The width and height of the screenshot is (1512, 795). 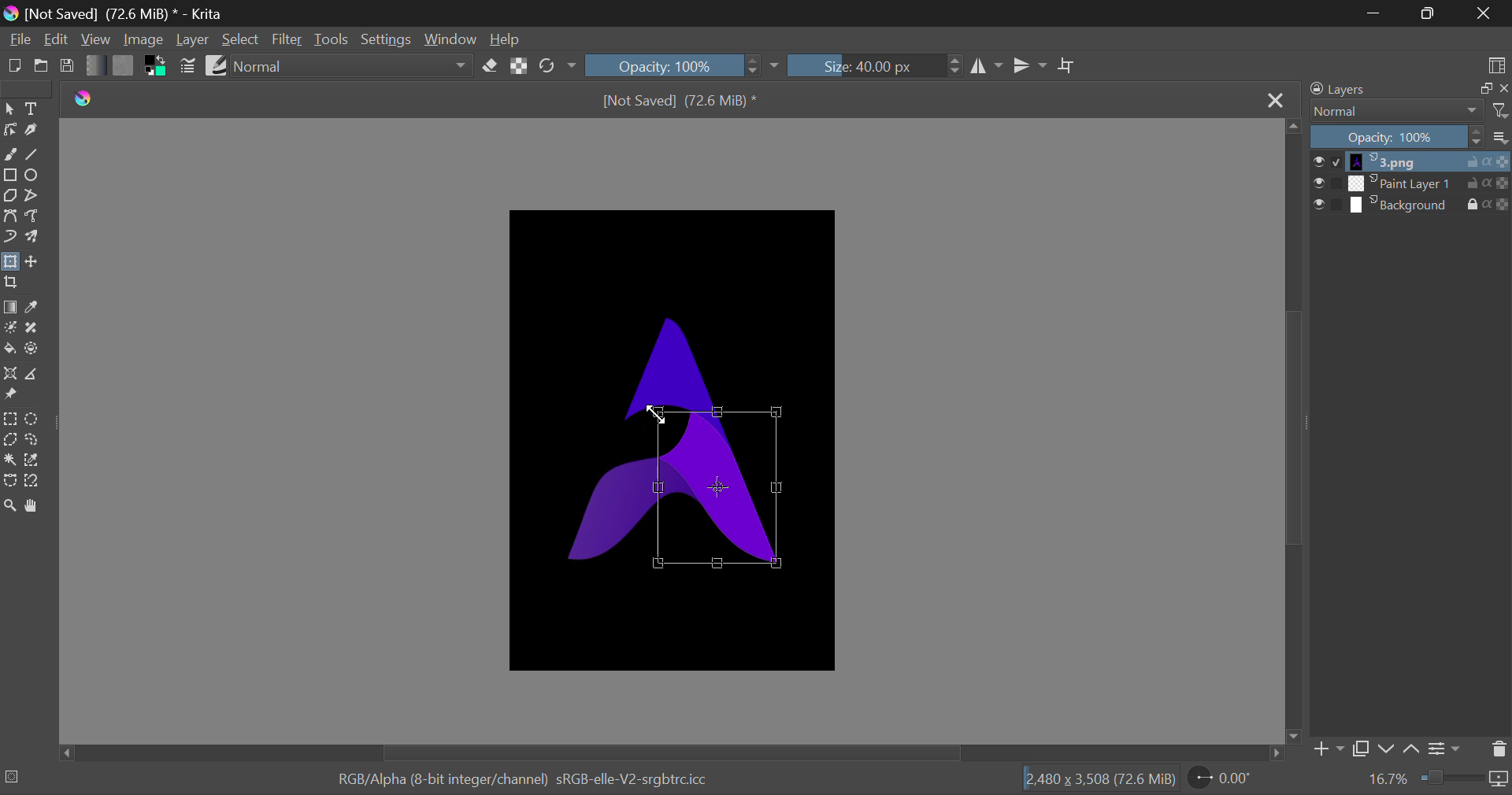 I want to click on New, so click(x=14, y=66).